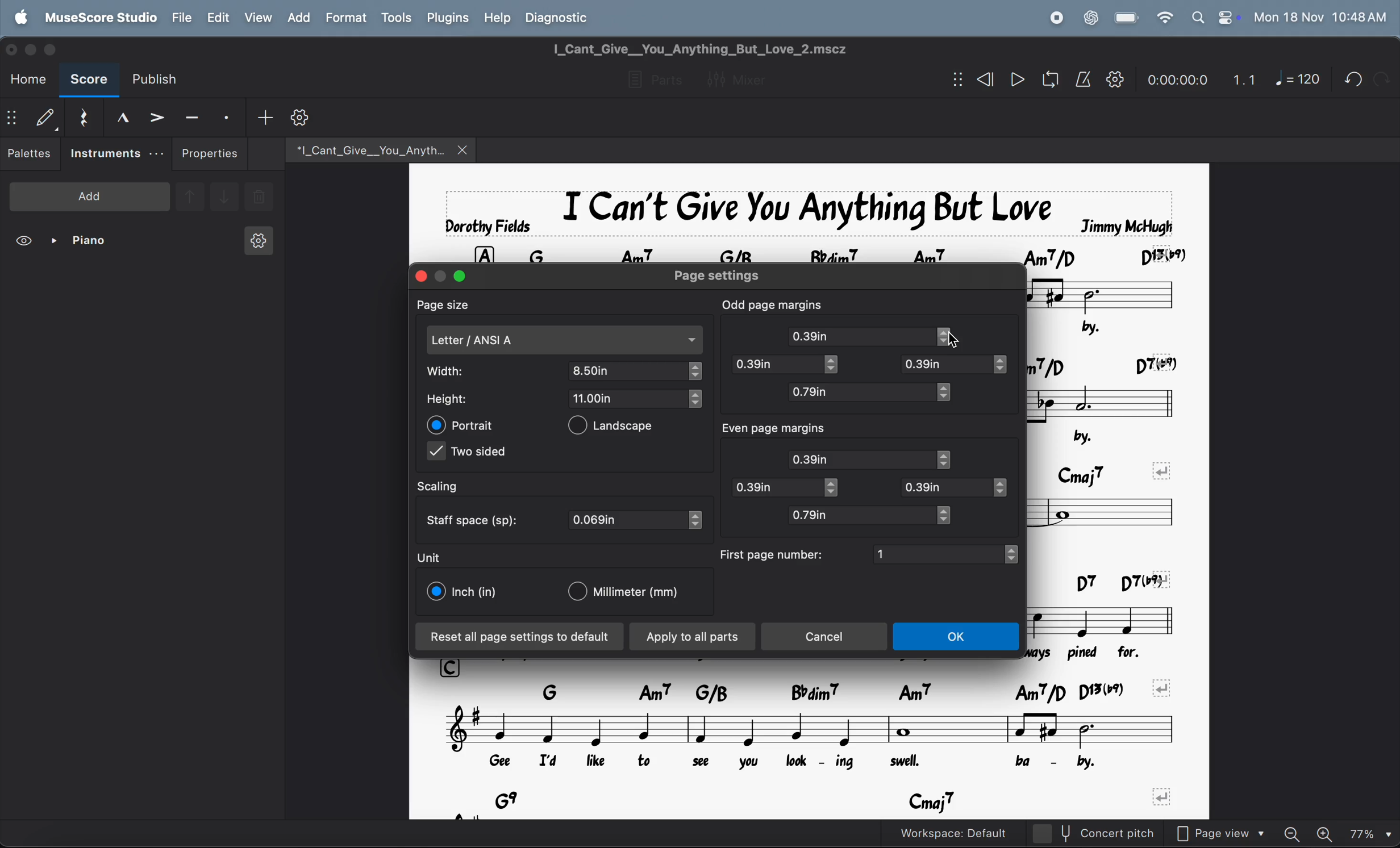 Image resolution: width=1400 pixels, height=848 pixels. What do you see at coordinates (948, 459) in the screenshot?
I see `toggle` at bounding box center [948, 459].